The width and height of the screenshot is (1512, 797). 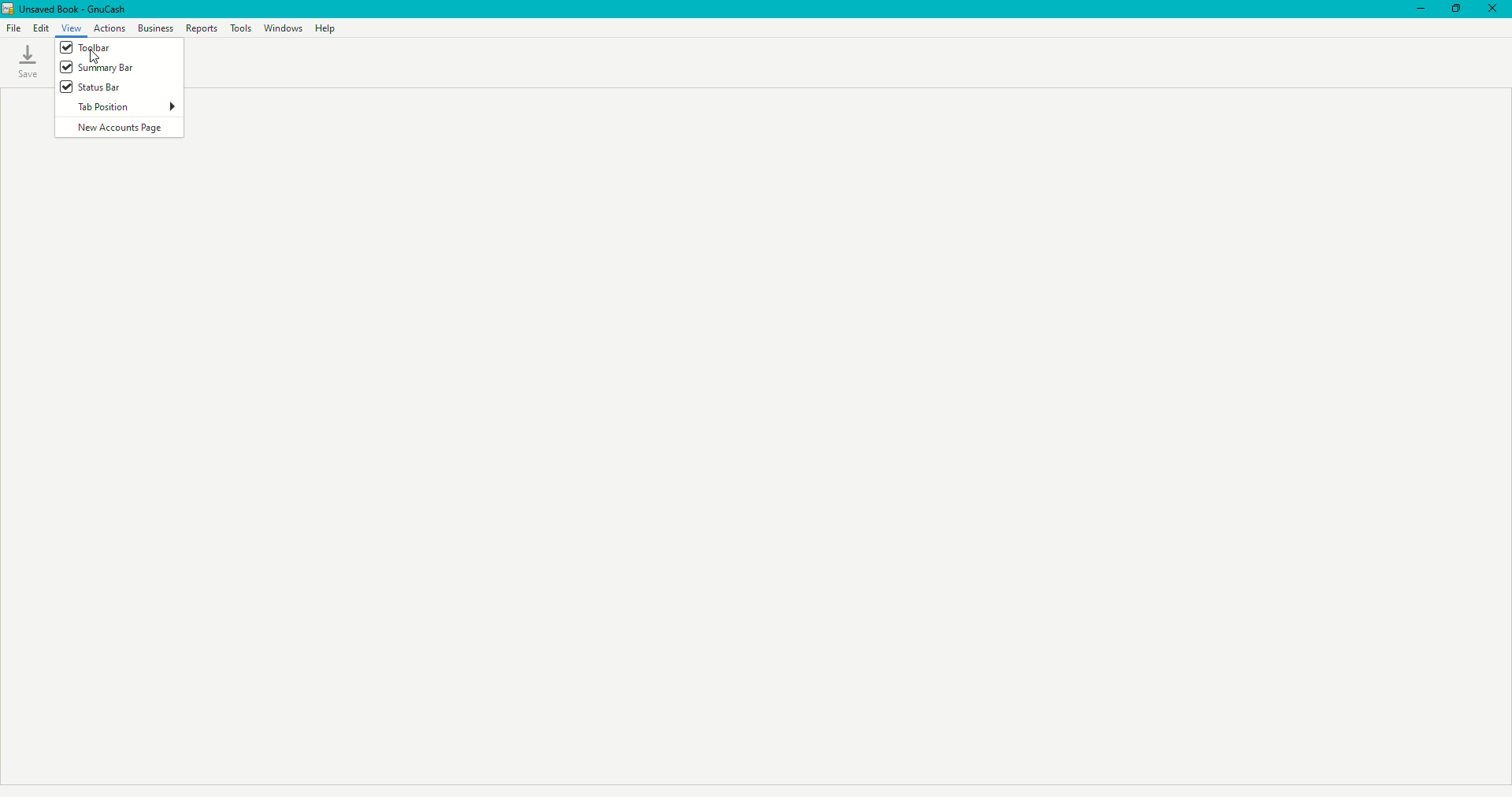 I want to click on Status Bar, so click(x=96, y=87).